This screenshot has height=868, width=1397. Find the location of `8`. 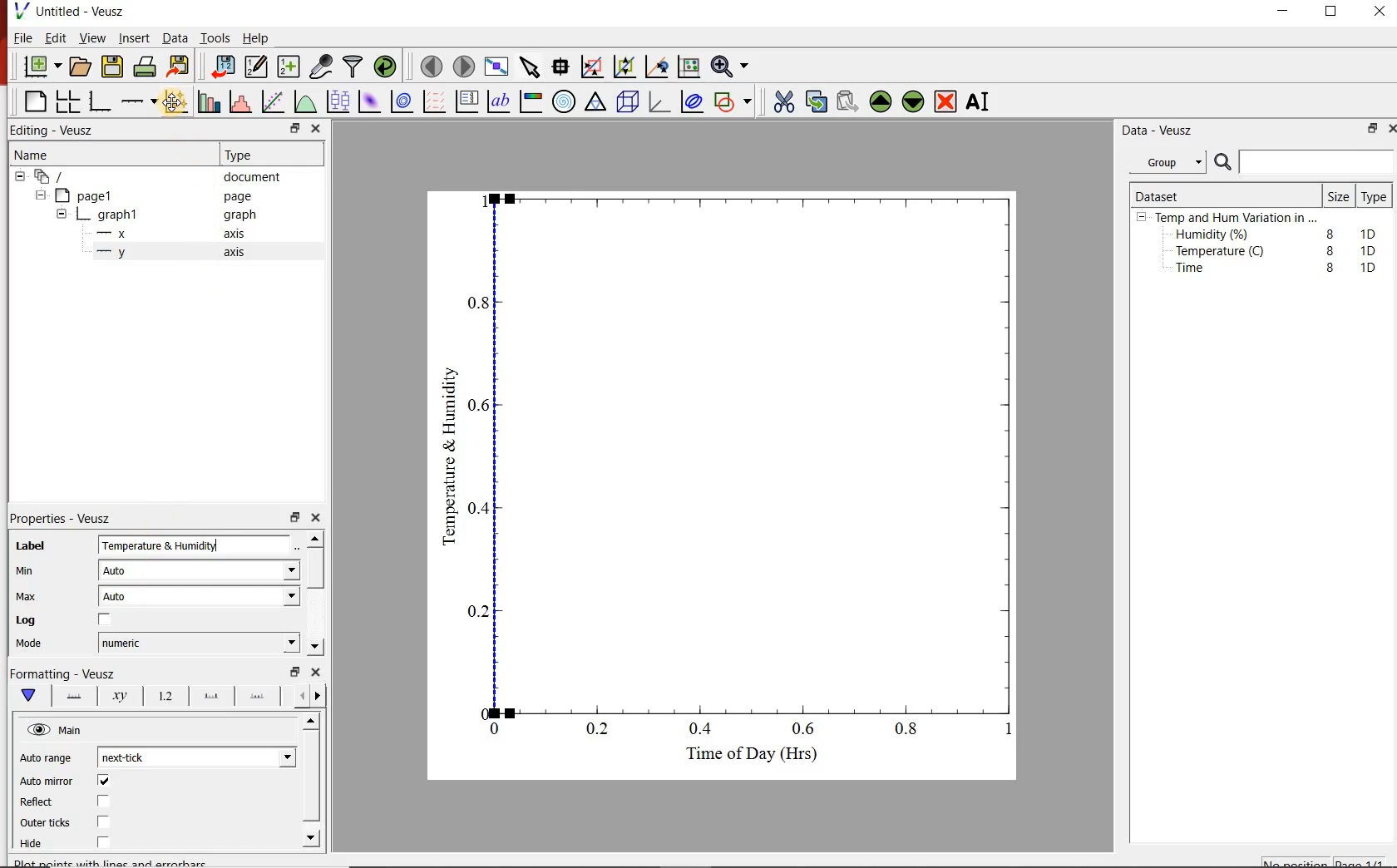

8 is located at coordinates (1327, 231).